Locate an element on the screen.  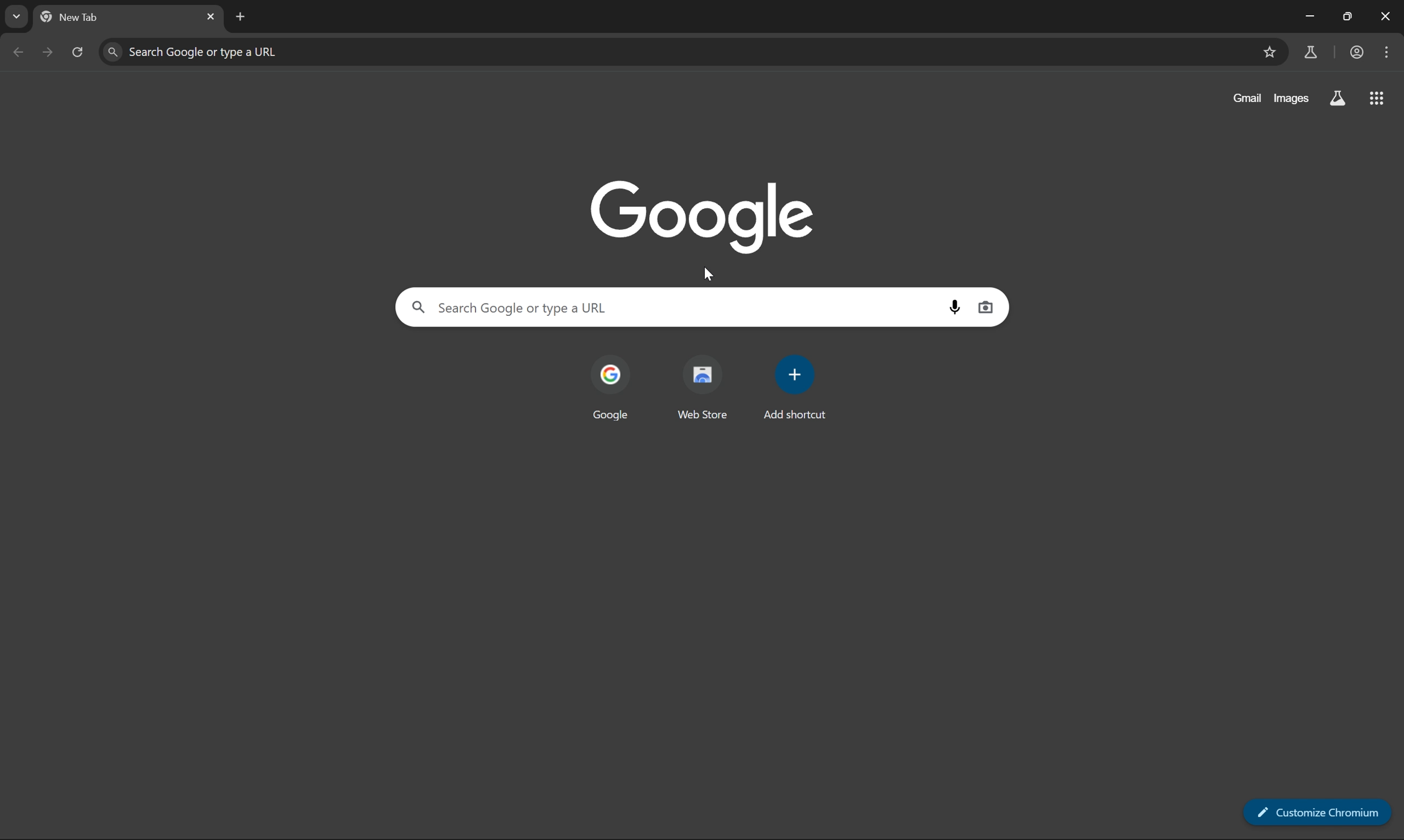
work is located at coordinates (1356, 51).